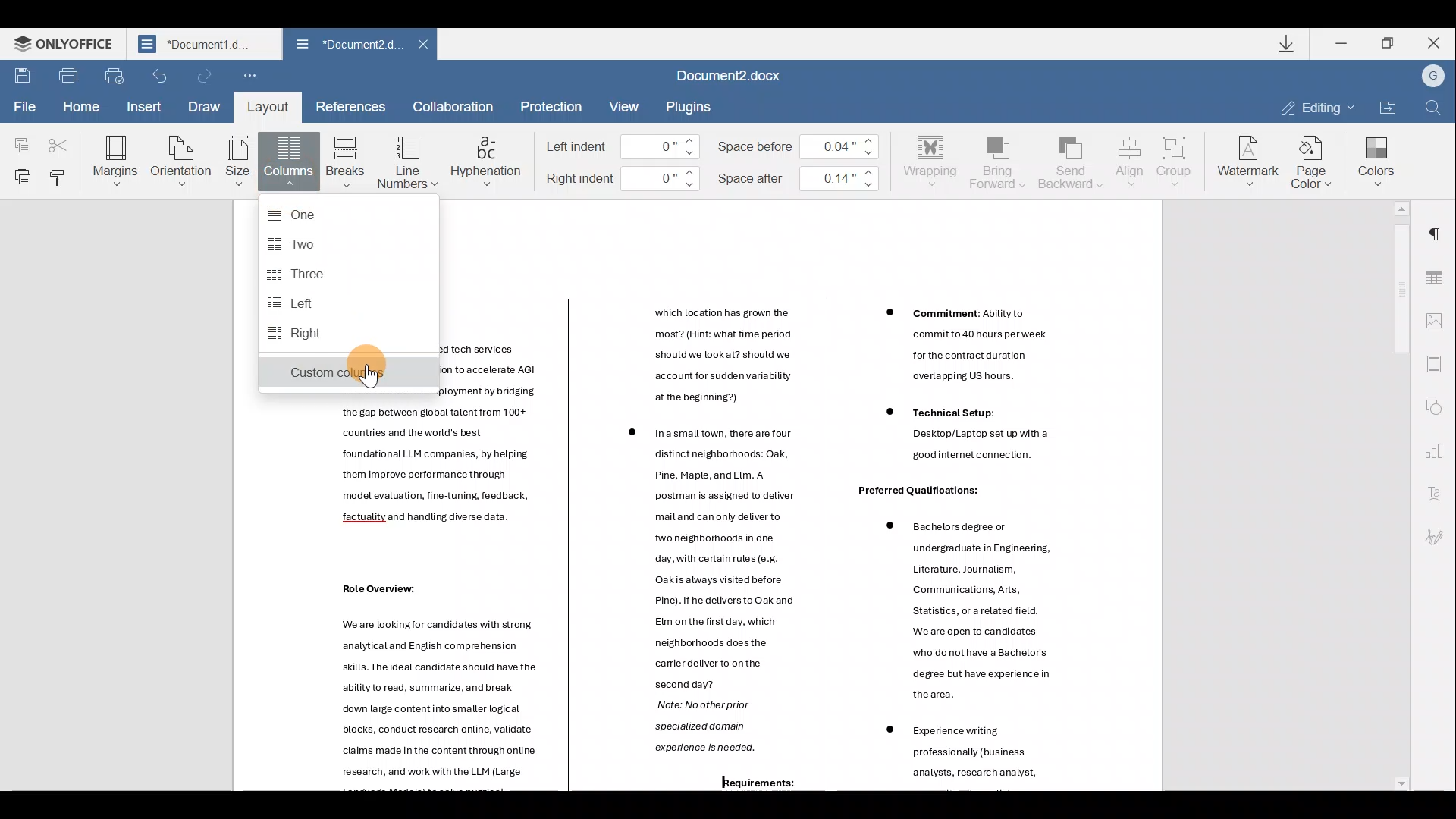  I want to click on Line numbers, so click(406, 161).